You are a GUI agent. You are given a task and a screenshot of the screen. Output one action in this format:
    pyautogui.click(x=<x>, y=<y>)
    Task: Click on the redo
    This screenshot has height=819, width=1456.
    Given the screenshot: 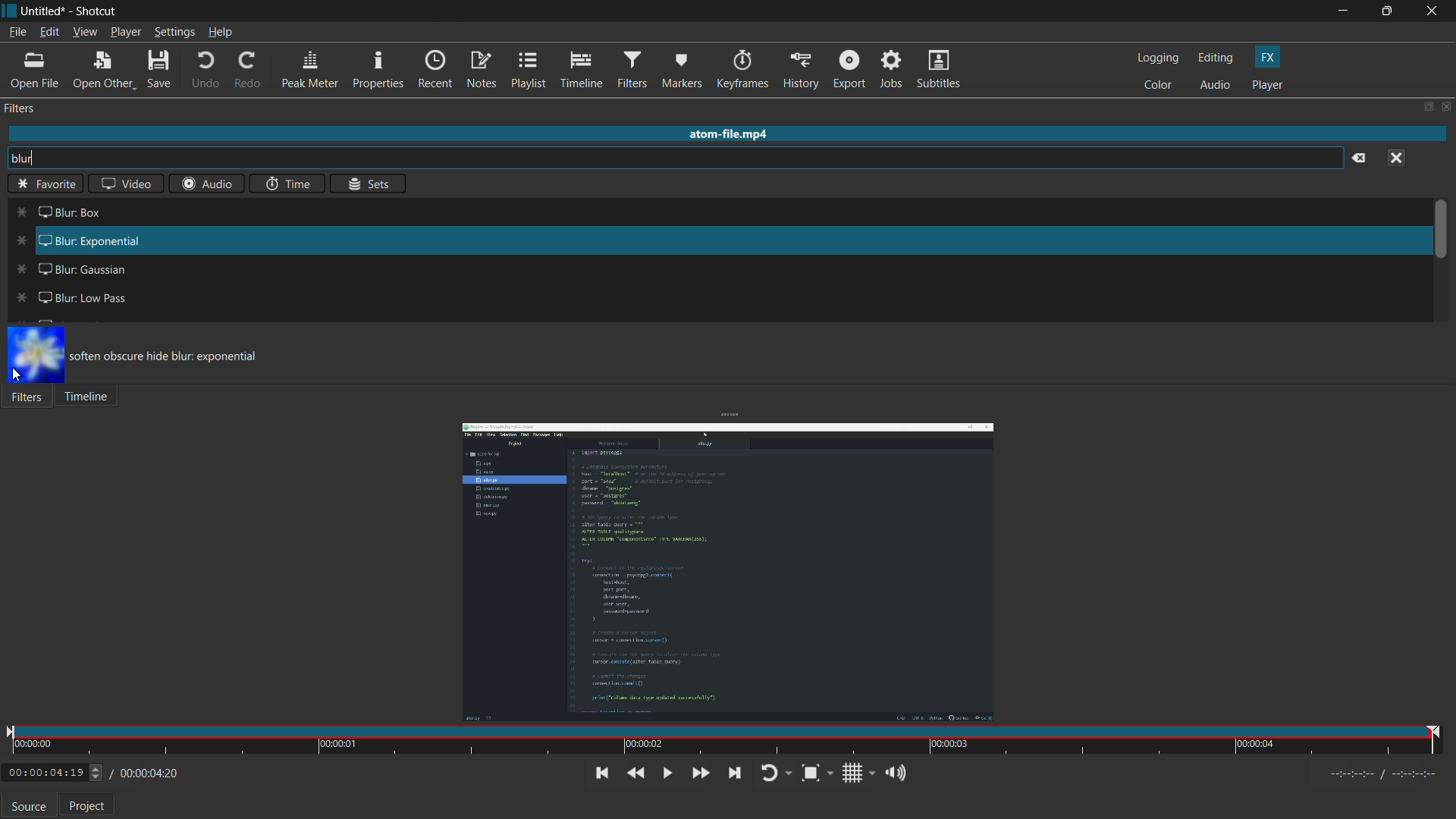 What is the action you would take?
    pyautogui.click(x=248, y=70)
    